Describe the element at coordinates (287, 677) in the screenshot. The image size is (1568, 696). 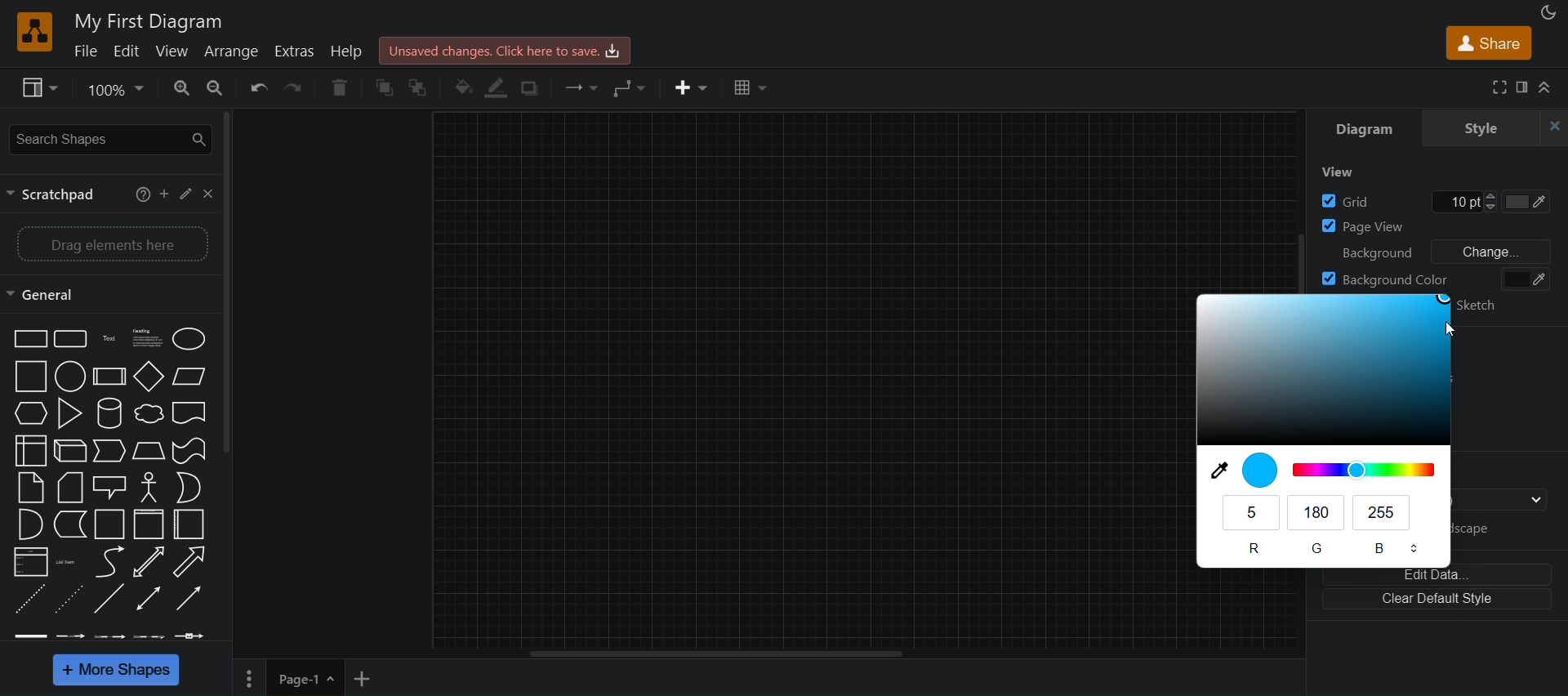
I see `page 1` at that location.